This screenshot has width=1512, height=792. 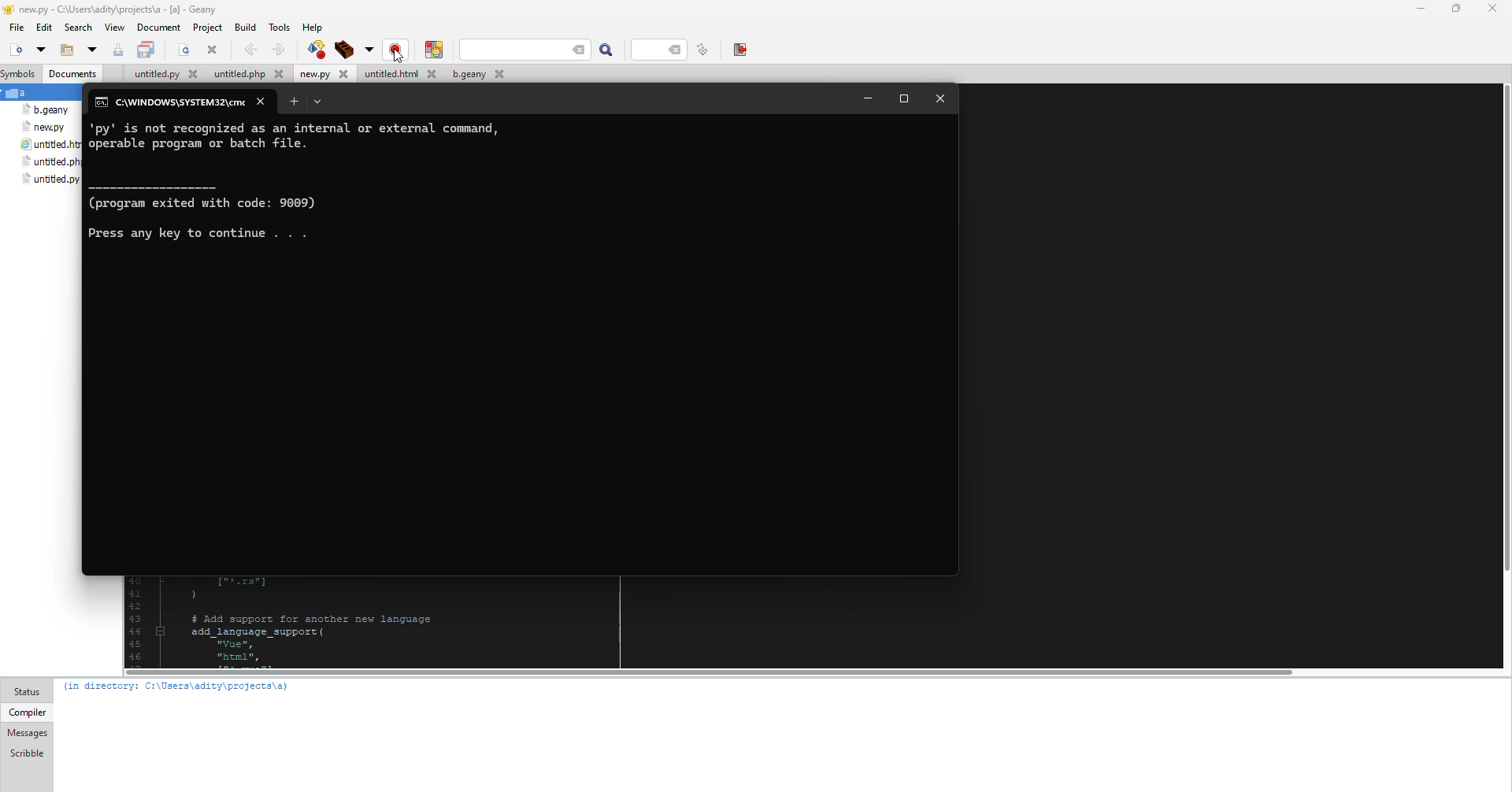 I want to click on scroll bar, so click(x=701, y=672).